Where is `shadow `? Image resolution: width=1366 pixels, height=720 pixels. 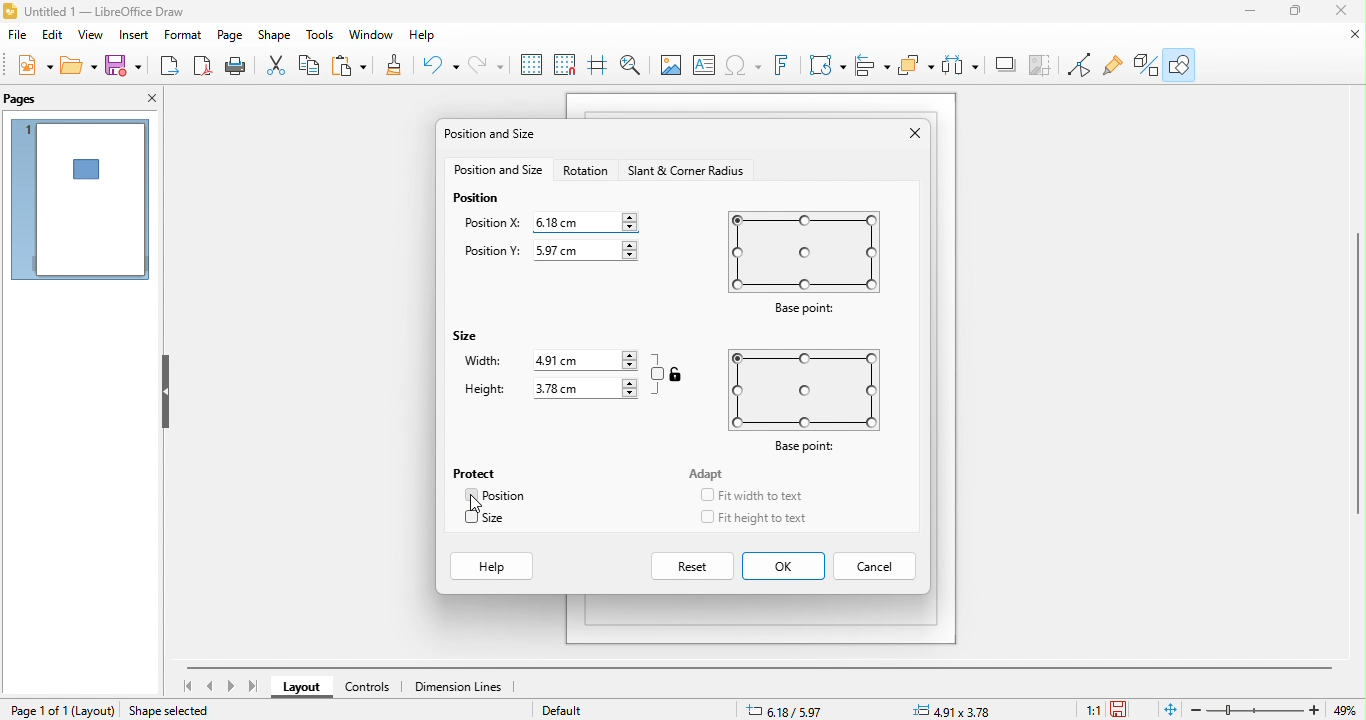
shadow  is located at coordinates (960, 66).